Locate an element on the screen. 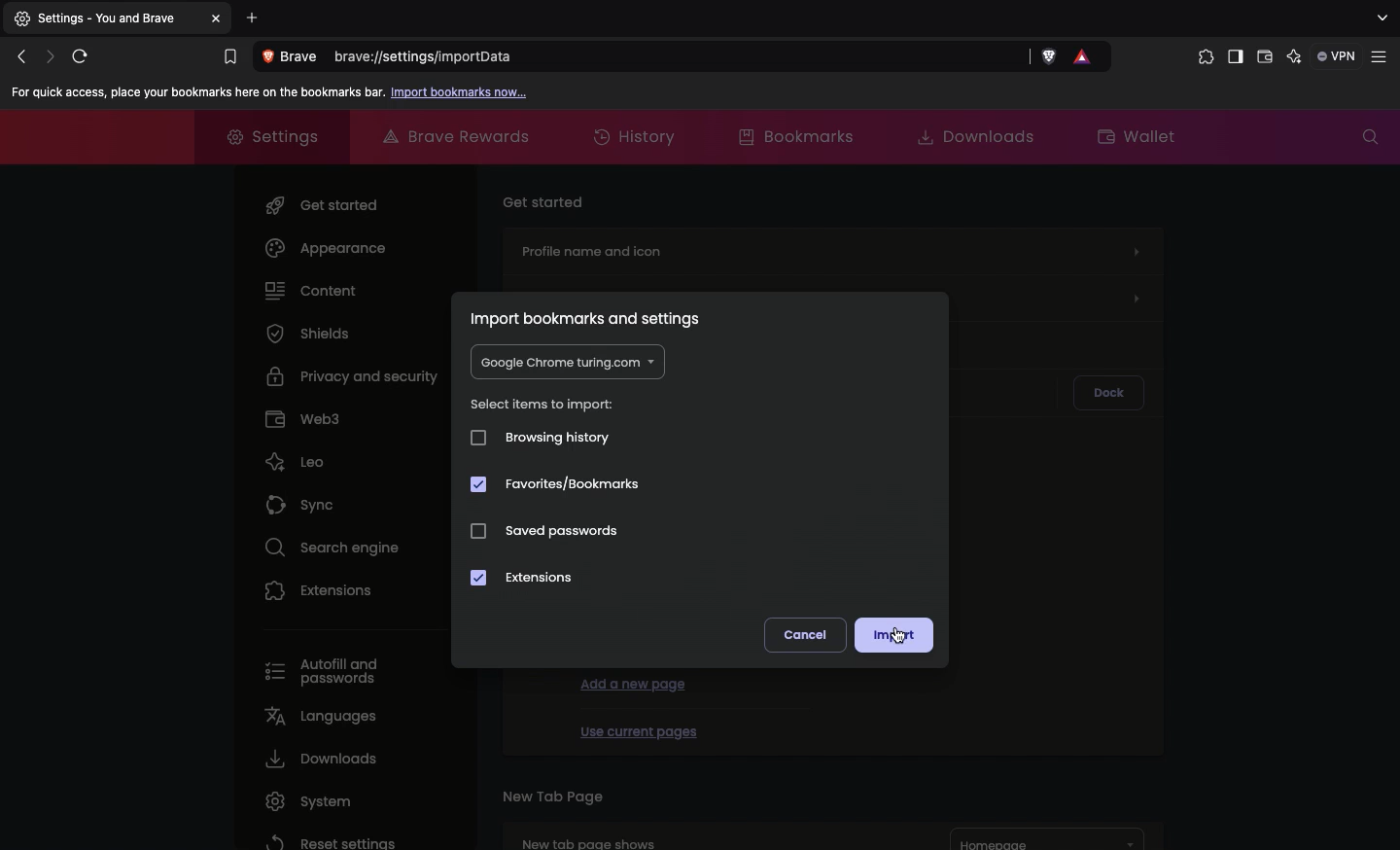 The height and width of the screenshot is (850, 1400). Customize and control brave is located at coordinates (1382, 57).